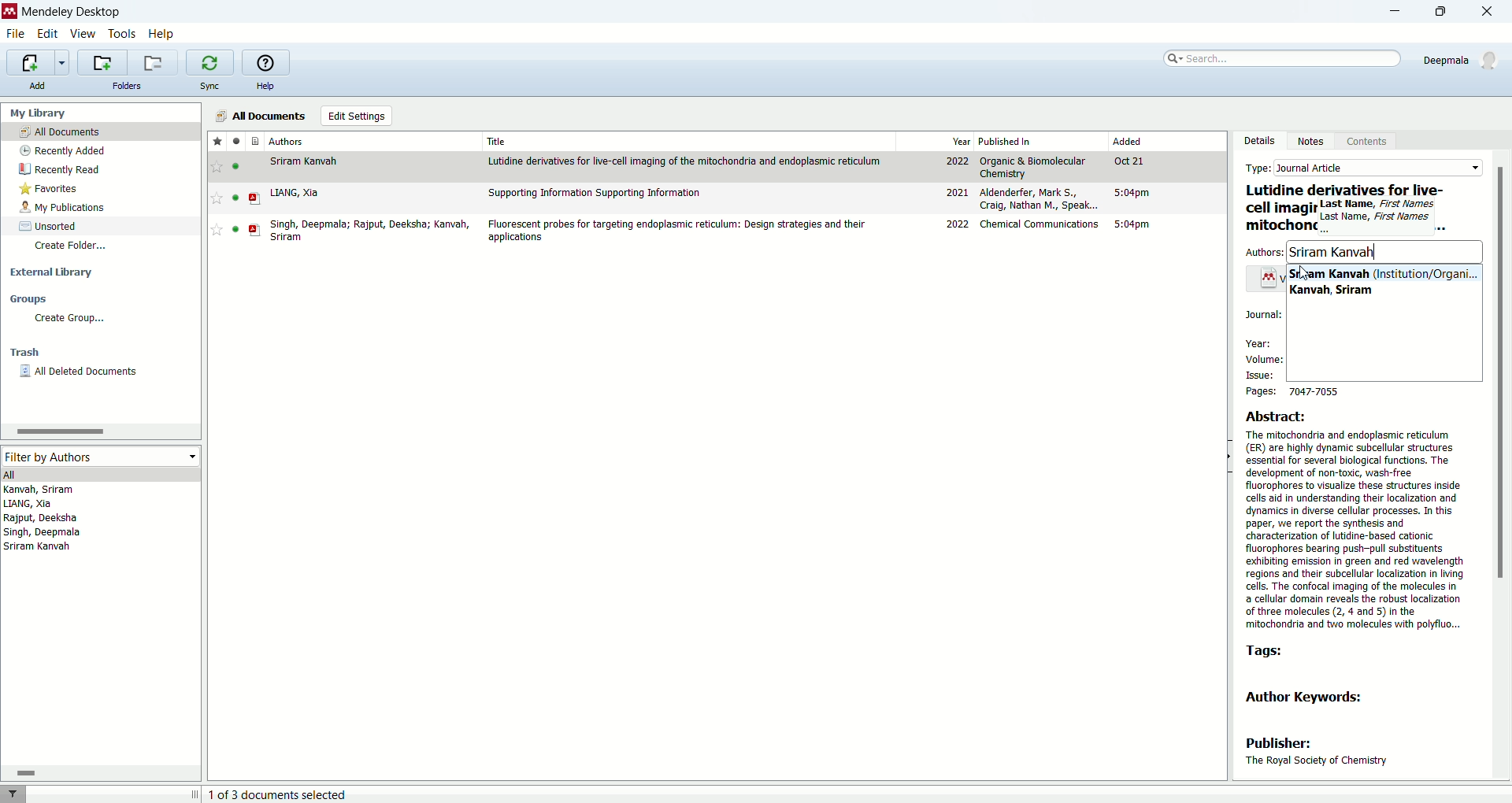 This screenshot has height=803, width=1512. What do you see at coordinates (955, 192) in the screenshot?
I see `2021` at bounding box center [955, 192].